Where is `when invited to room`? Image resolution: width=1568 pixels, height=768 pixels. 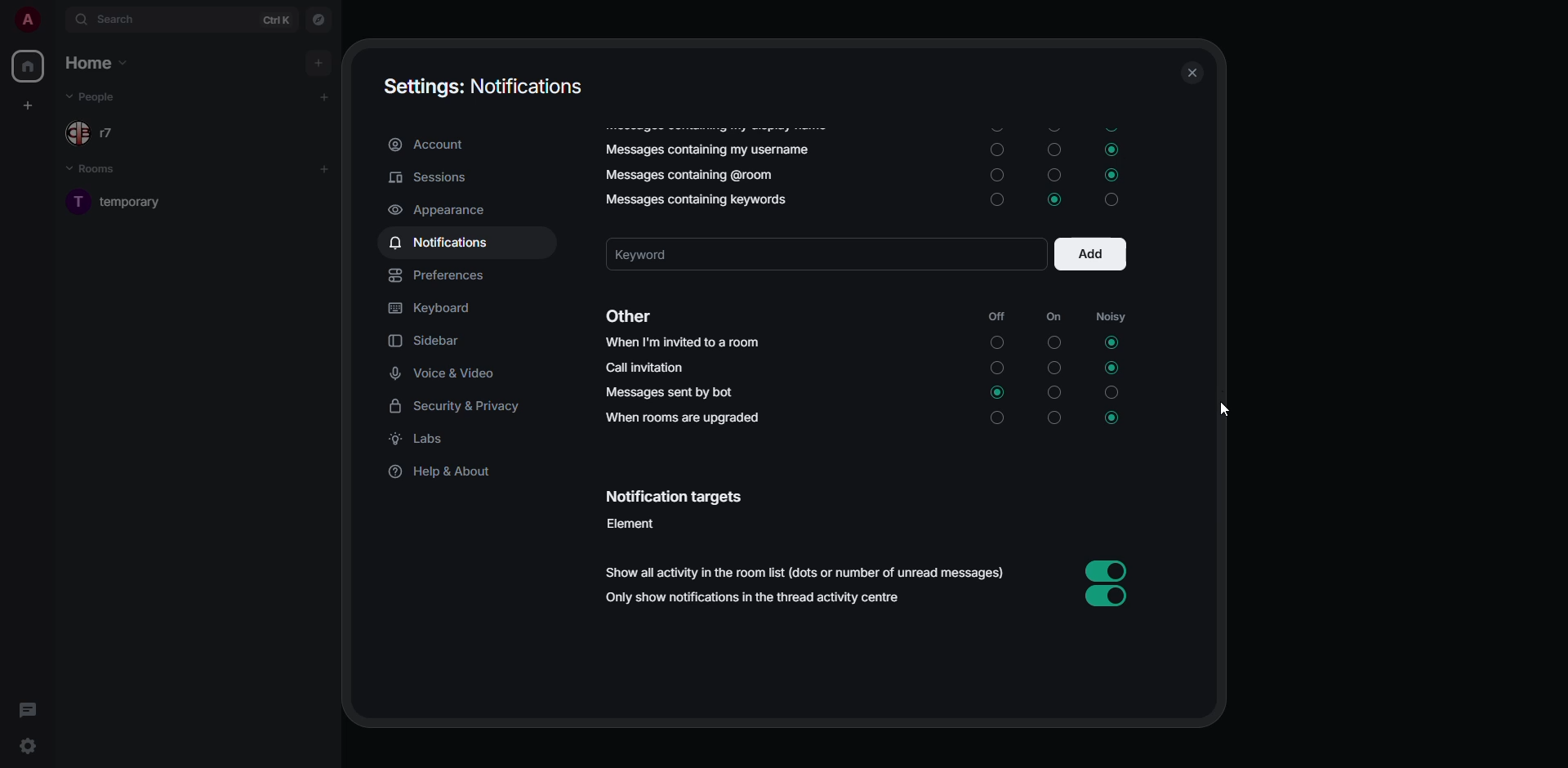
when invited to room is located at coordinates (683, 342).